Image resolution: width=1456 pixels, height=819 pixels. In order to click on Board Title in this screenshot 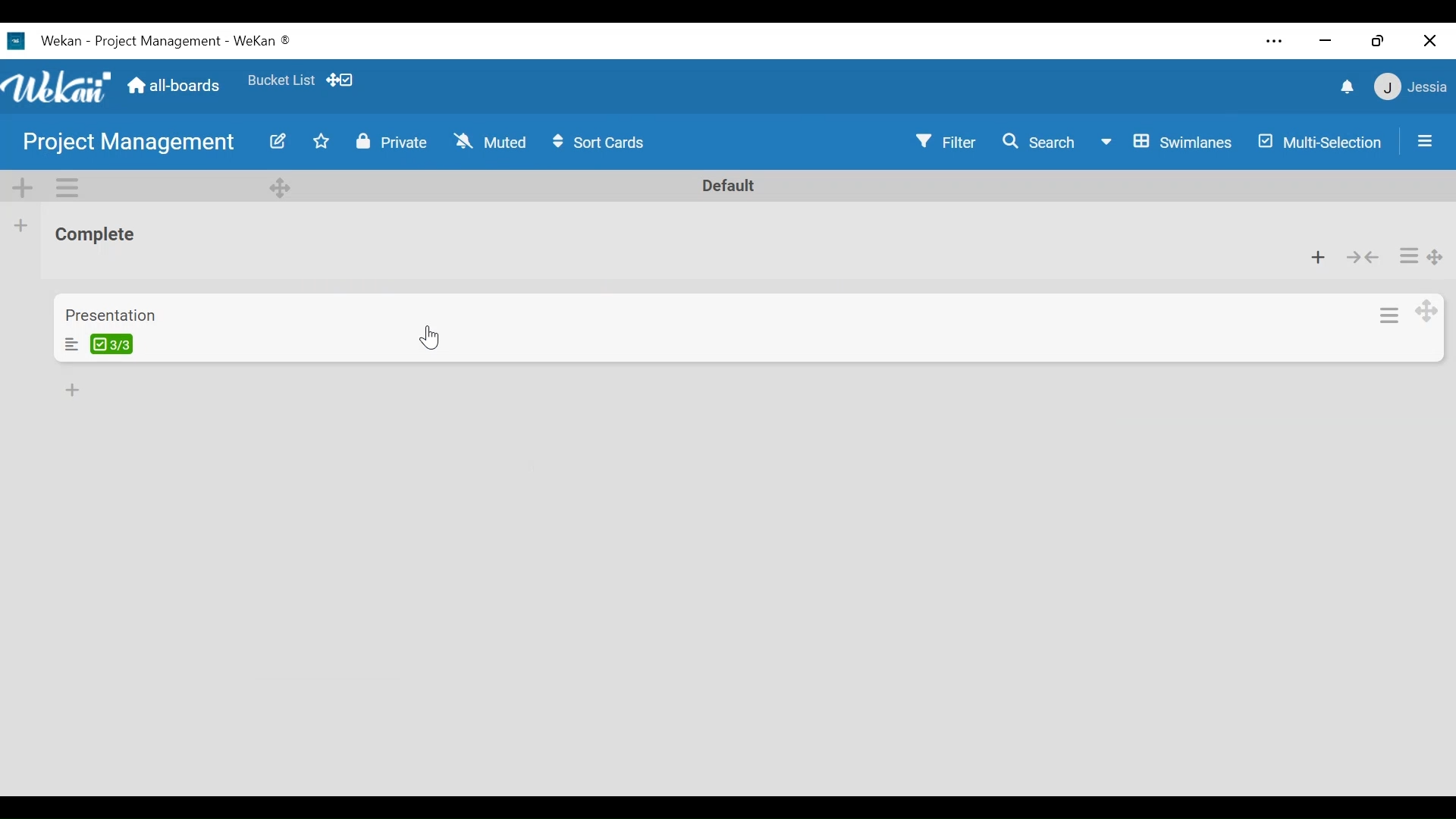, I will do `click(157, 41)`.